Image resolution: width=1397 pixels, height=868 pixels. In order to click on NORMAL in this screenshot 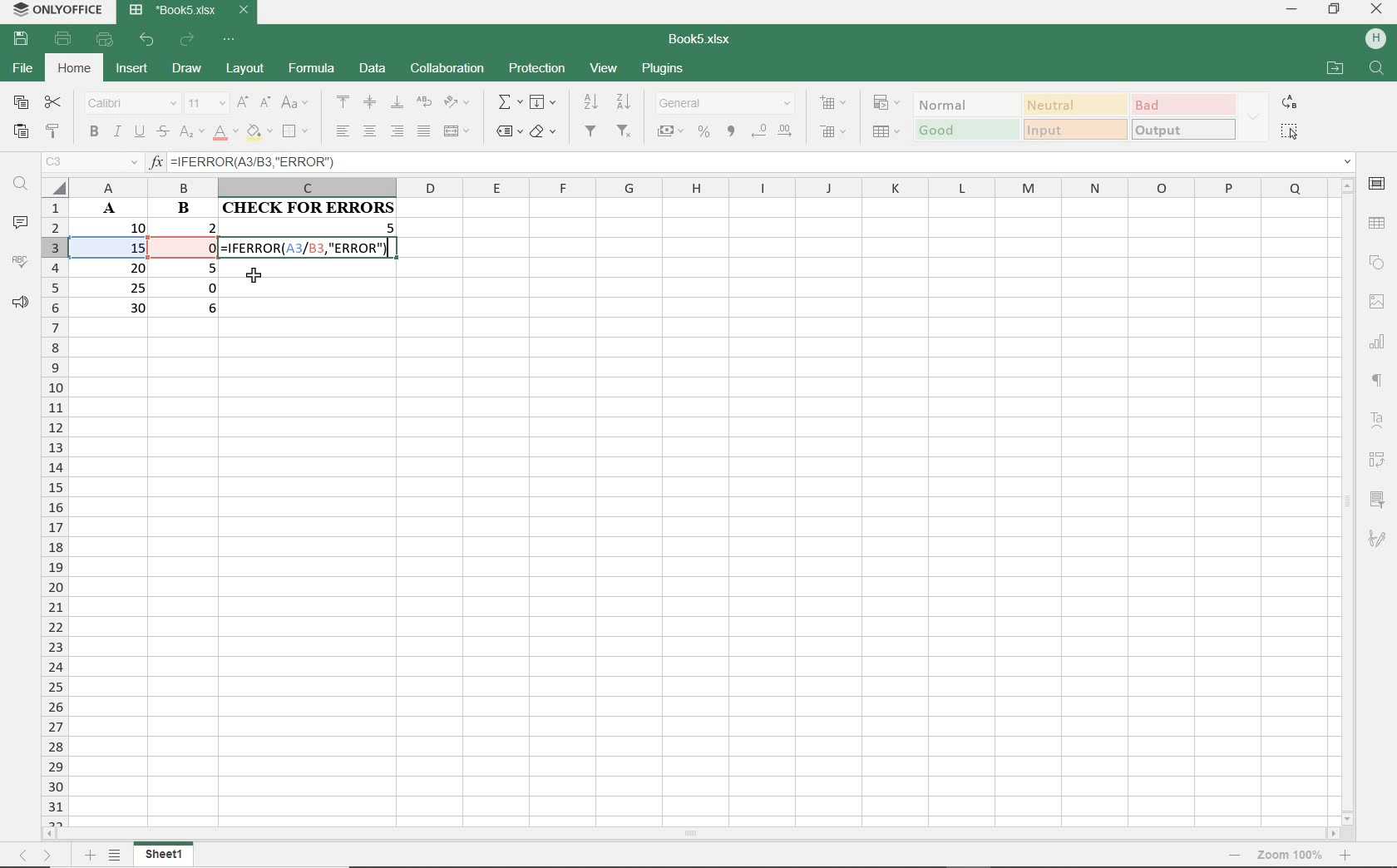, I will do `click(968, 104)`.